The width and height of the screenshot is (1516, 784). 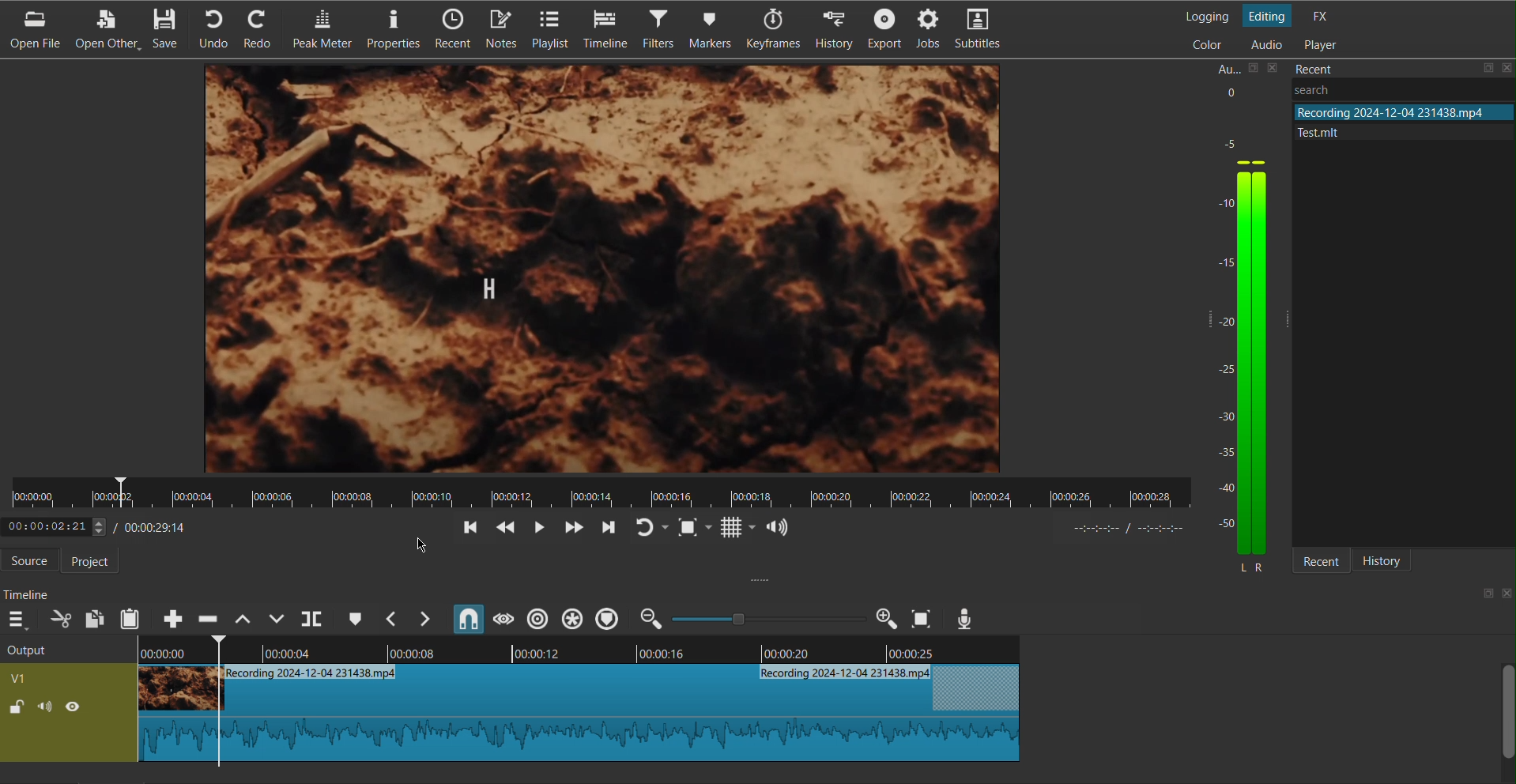 What do you see at coordinates (778, 529) in the screenshot?
I see `Show the volume control` at bounding box center [778, 529].